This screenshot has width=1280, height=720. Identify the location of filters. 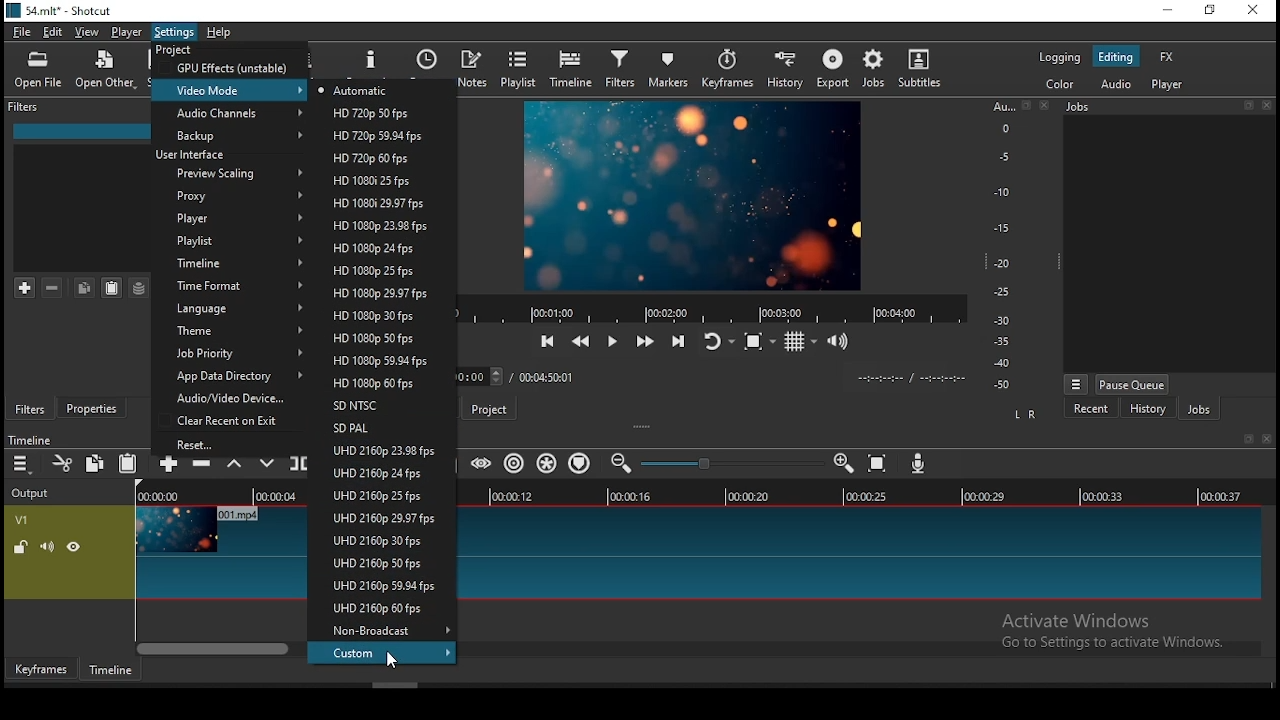
(620, 68).